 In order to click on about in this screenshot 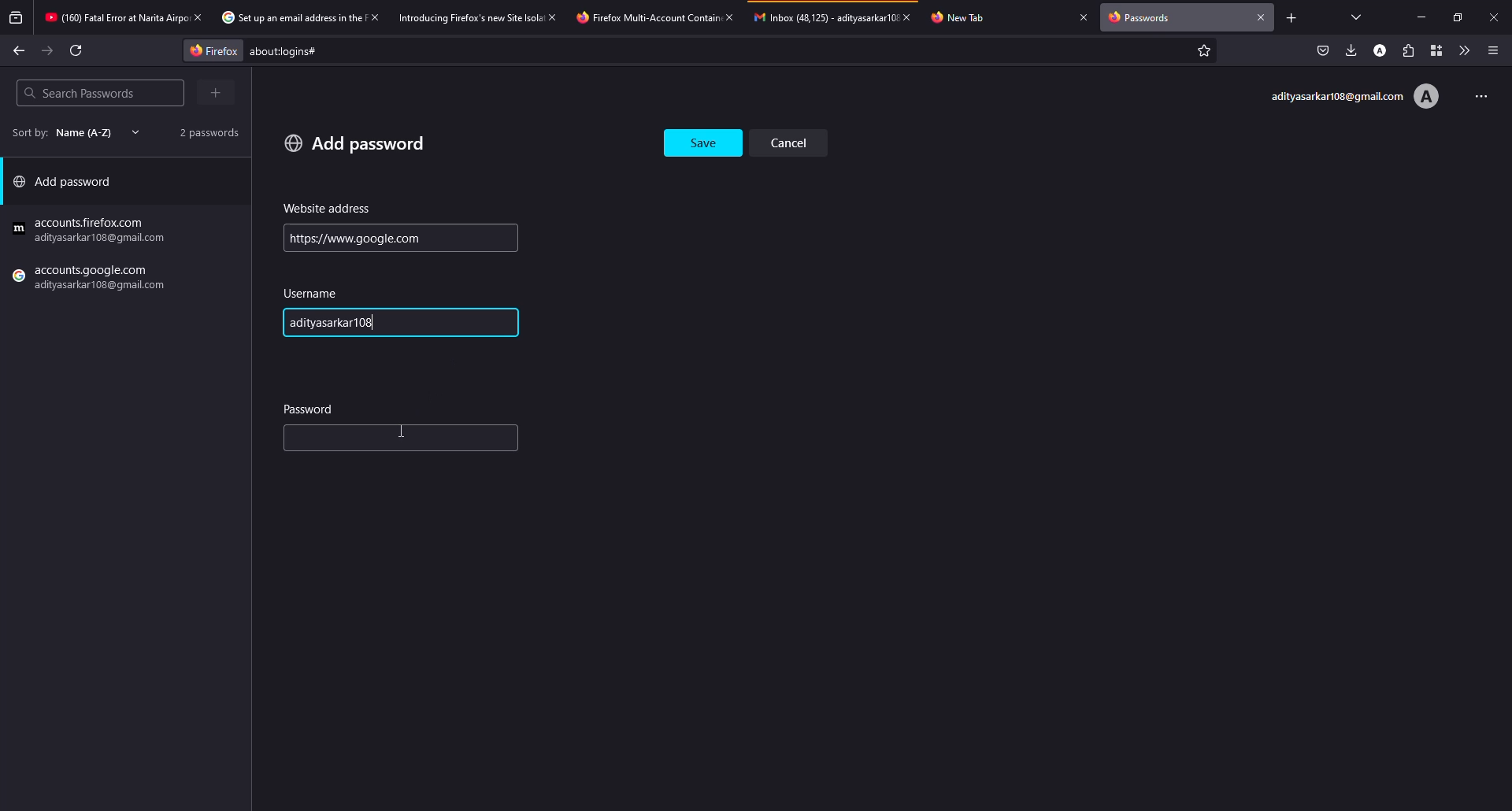, I will do `click(414, 51)`.